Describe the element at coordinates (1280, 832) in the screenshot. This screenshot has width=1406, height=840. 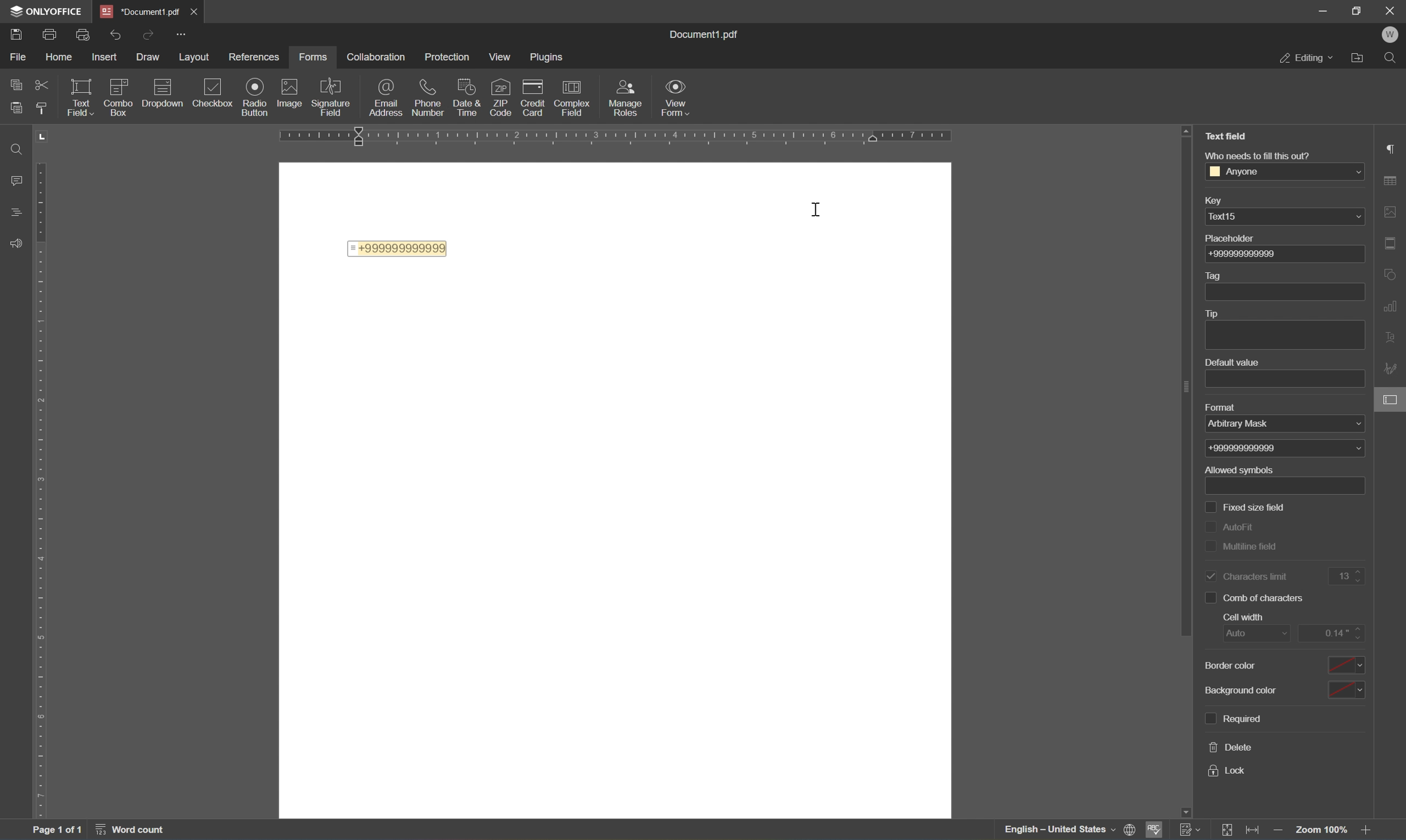
I see `zoom out` at that location.